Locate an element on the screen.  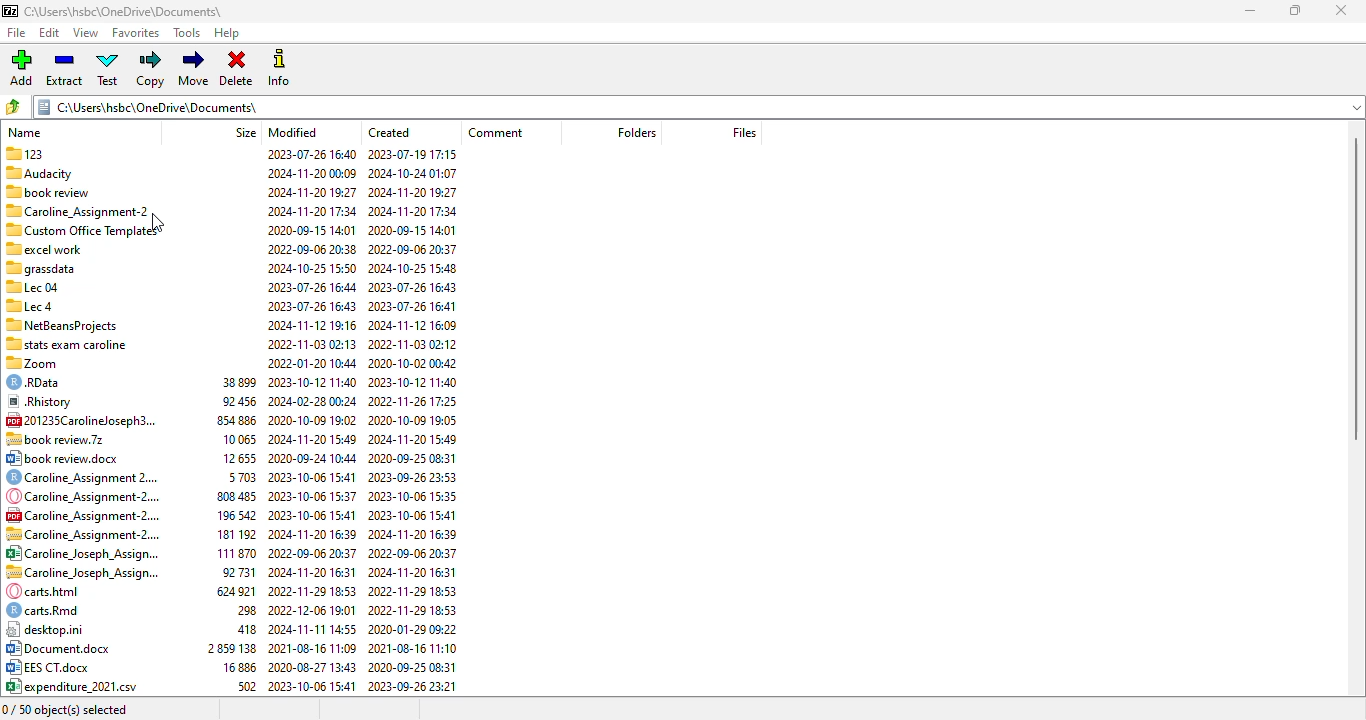
2024-11-12 16:09 is located at coordinates (417, 324).